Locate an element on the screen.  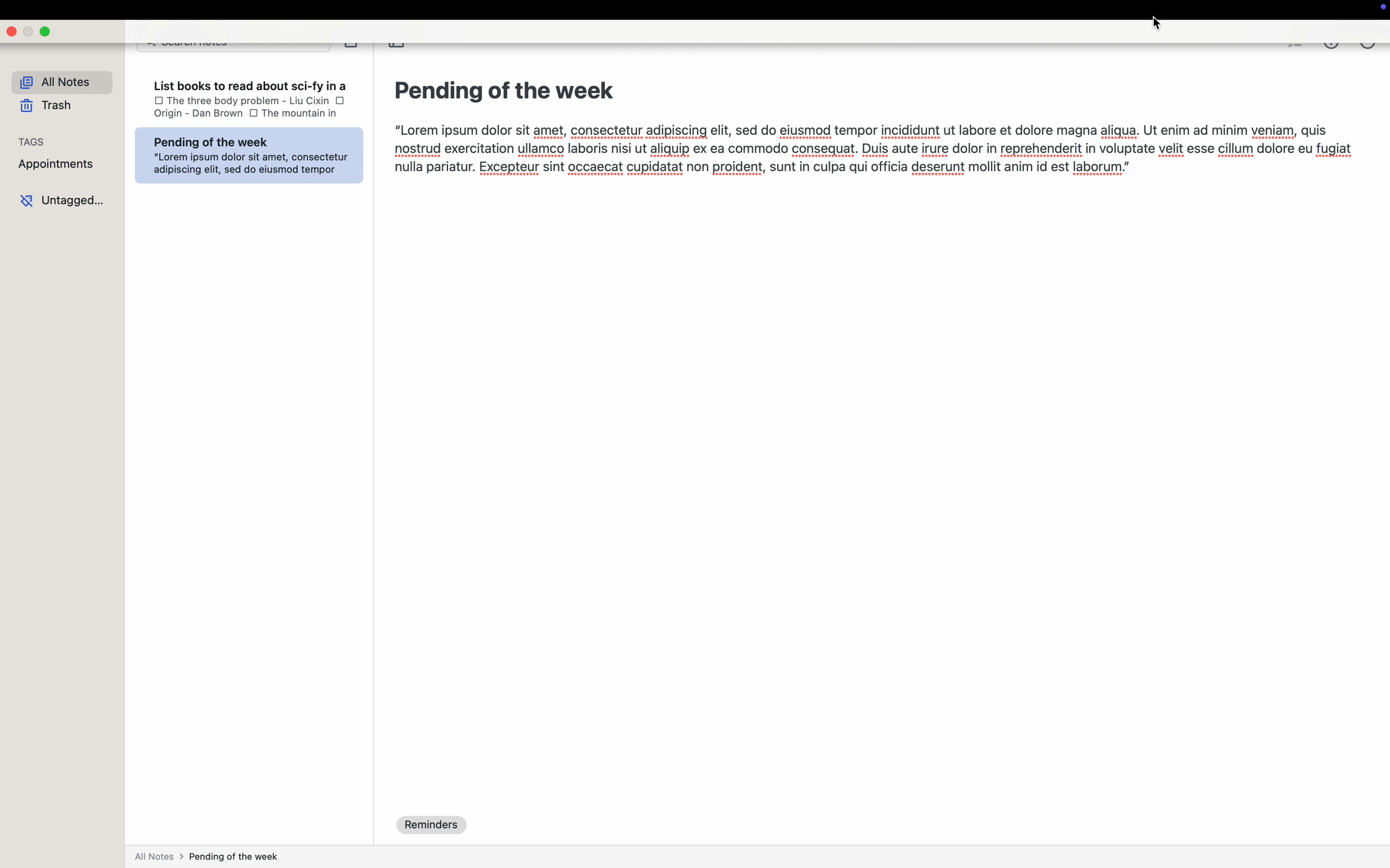
checkbox is located at coordinates (153, 101).